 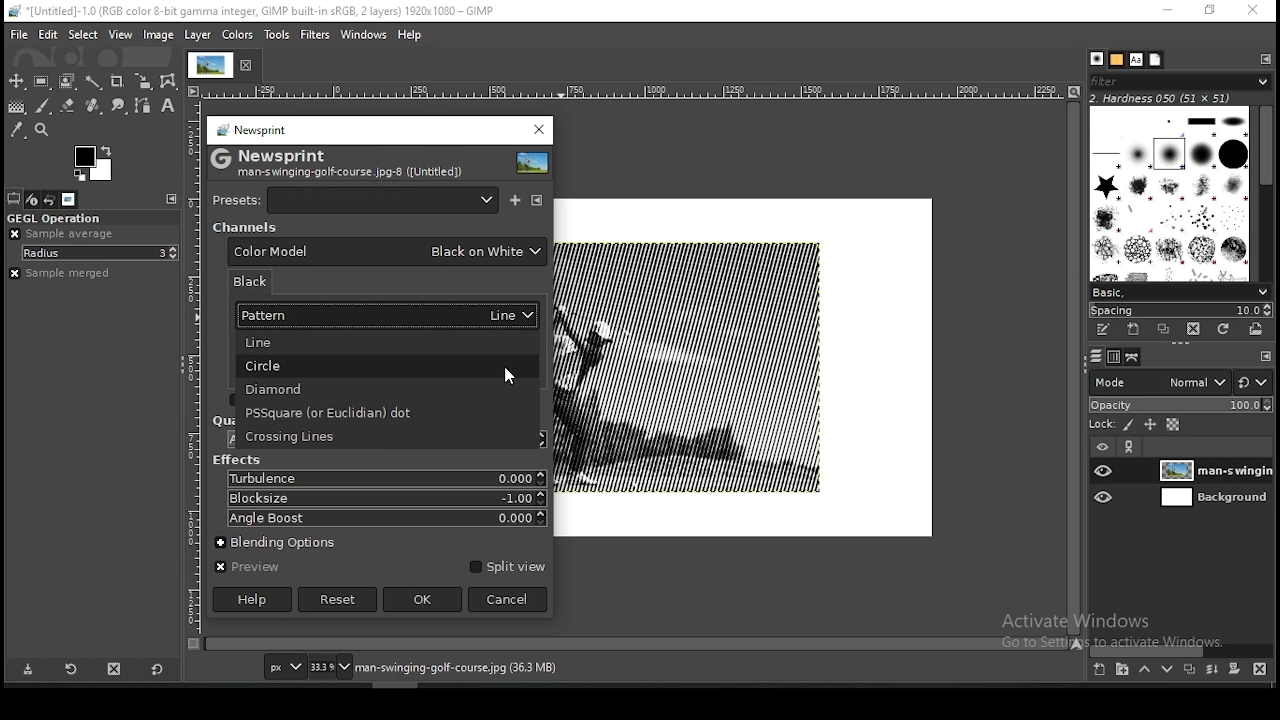 I want to click on restore tool preset, so click(x=69, y=669).